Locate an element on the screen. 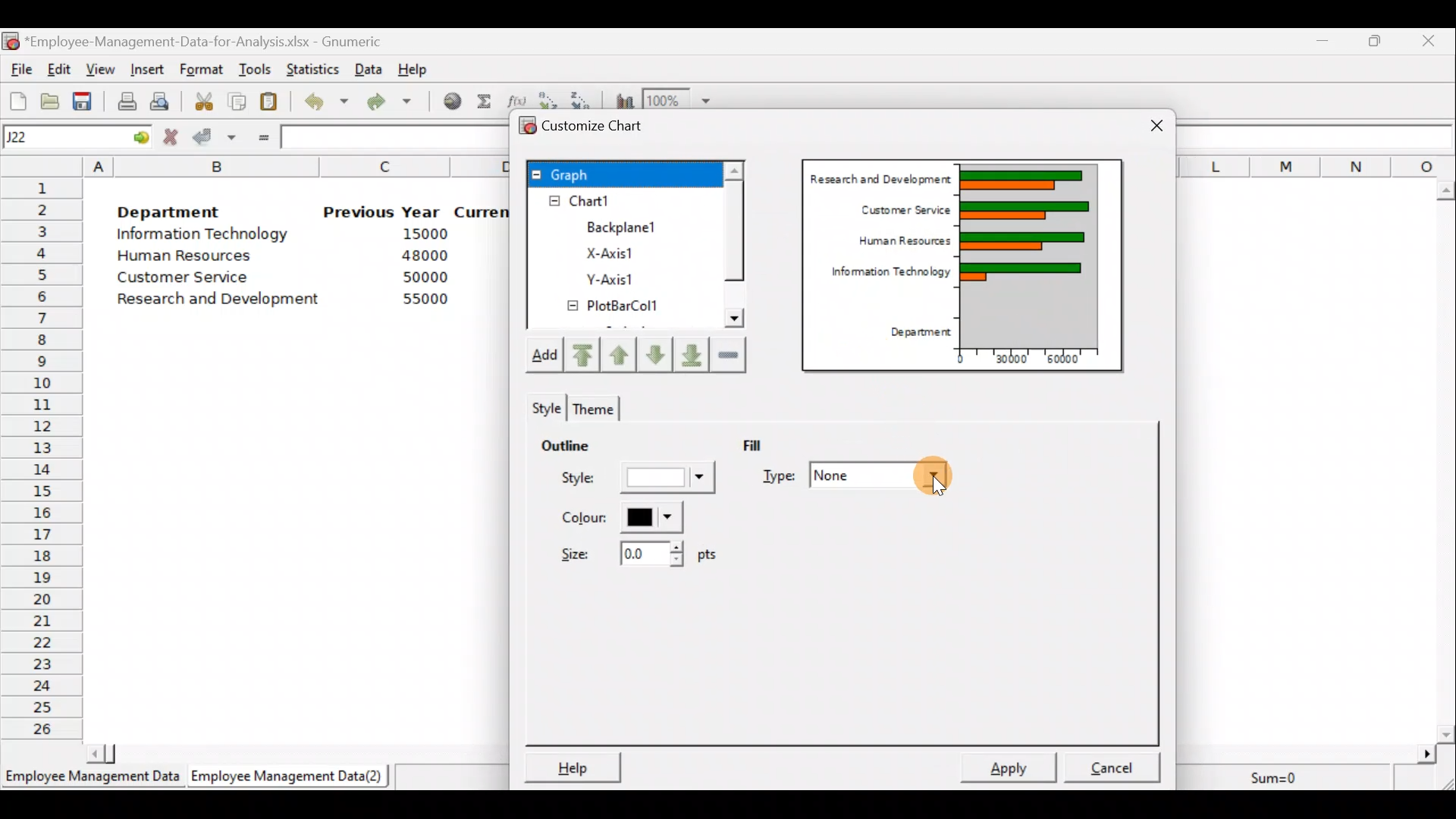  Scroll bar is located at coordinates (1447, 457).